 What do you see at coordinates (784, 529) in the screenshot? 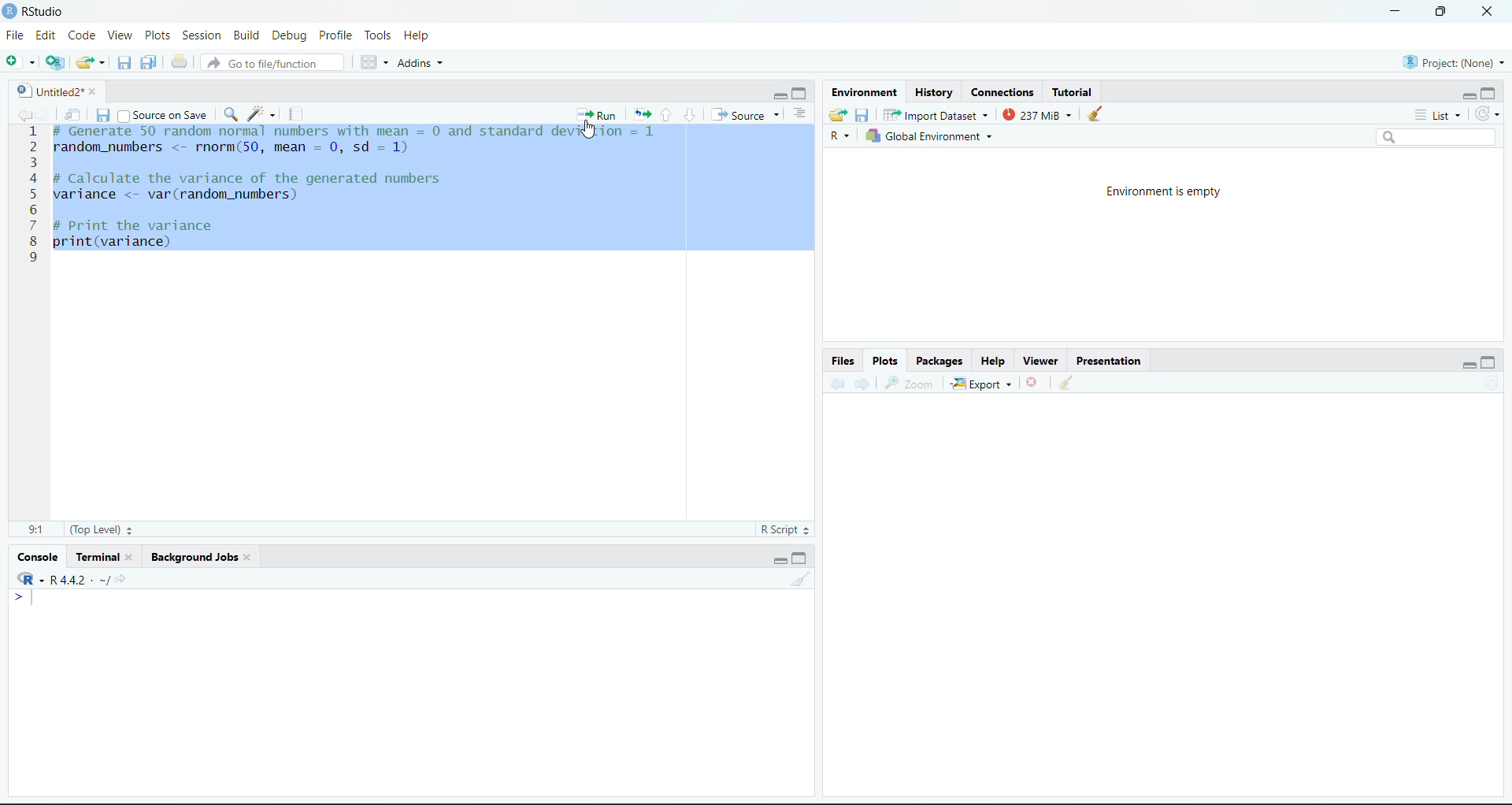
I see `R Script ` at bounding box center [784, 529].